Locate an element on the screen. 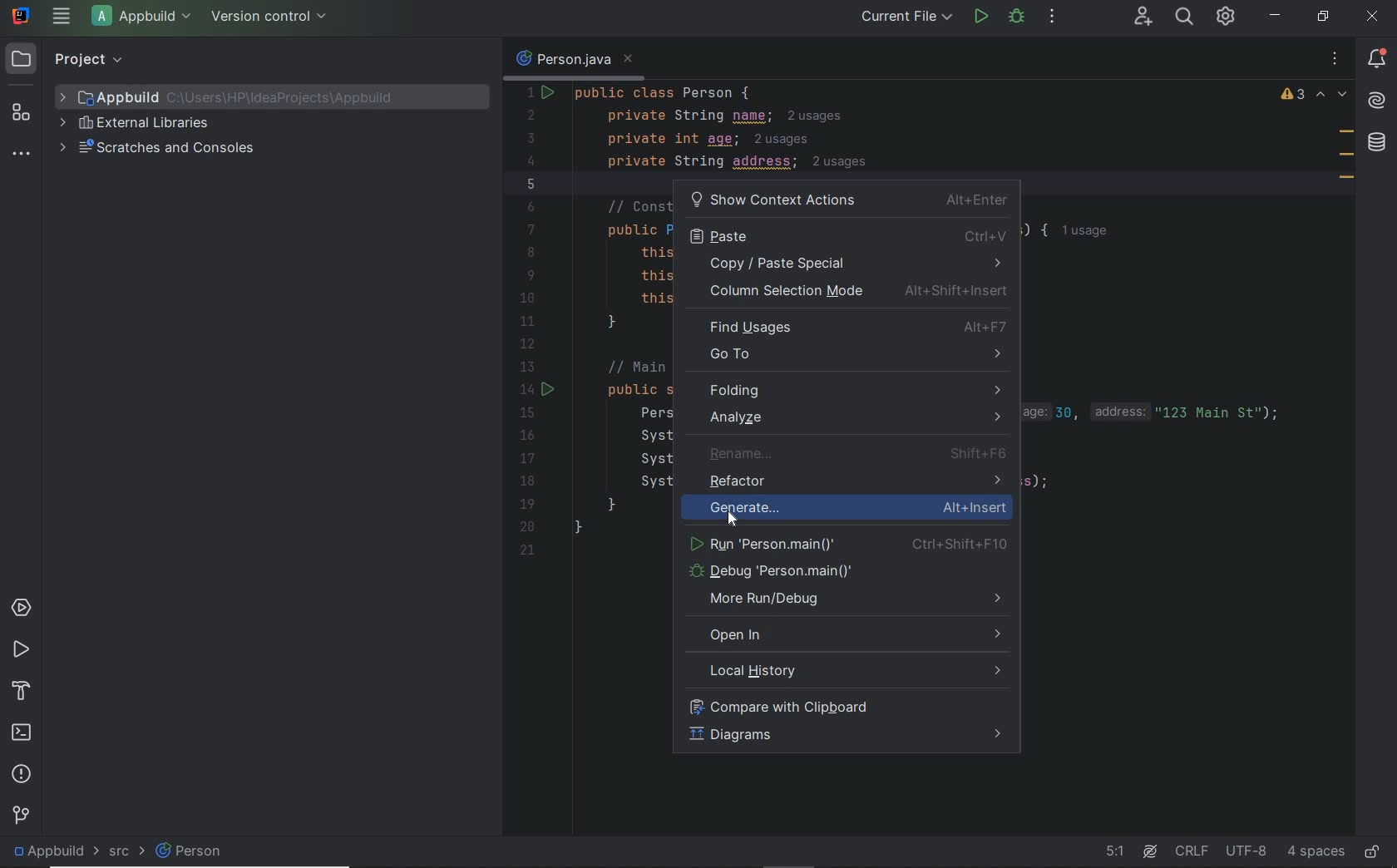 The width and height of the screenshot is (1397, 868). Open In is located at coordinates (846, 635).